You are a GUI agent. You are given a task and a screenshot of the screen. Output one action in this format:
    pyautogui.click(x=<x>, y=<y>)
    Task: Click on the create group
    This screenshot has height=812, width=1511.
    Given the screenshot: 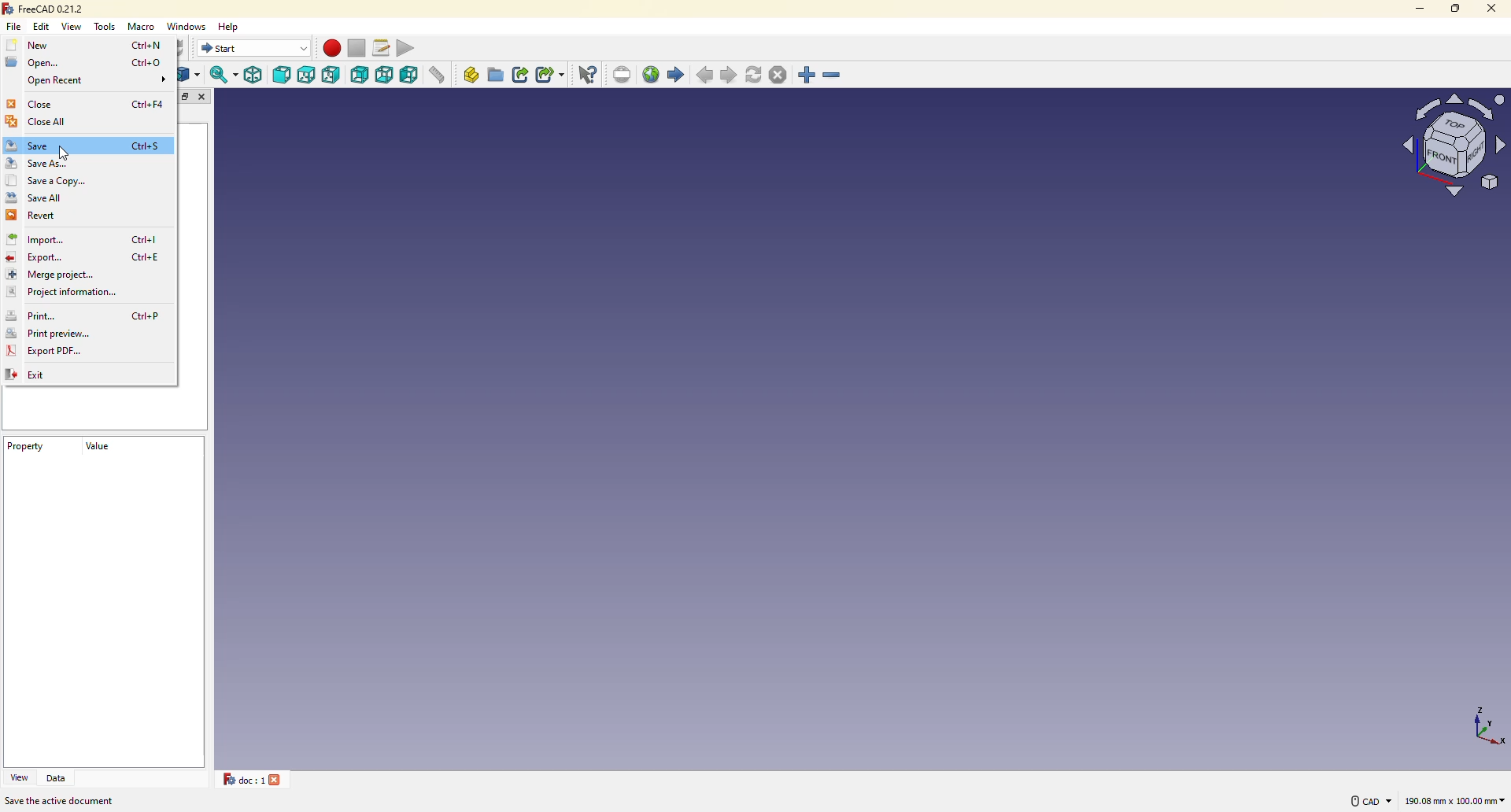 What is the action you would take?
    pyautogui.click(x=497, y=74)
    